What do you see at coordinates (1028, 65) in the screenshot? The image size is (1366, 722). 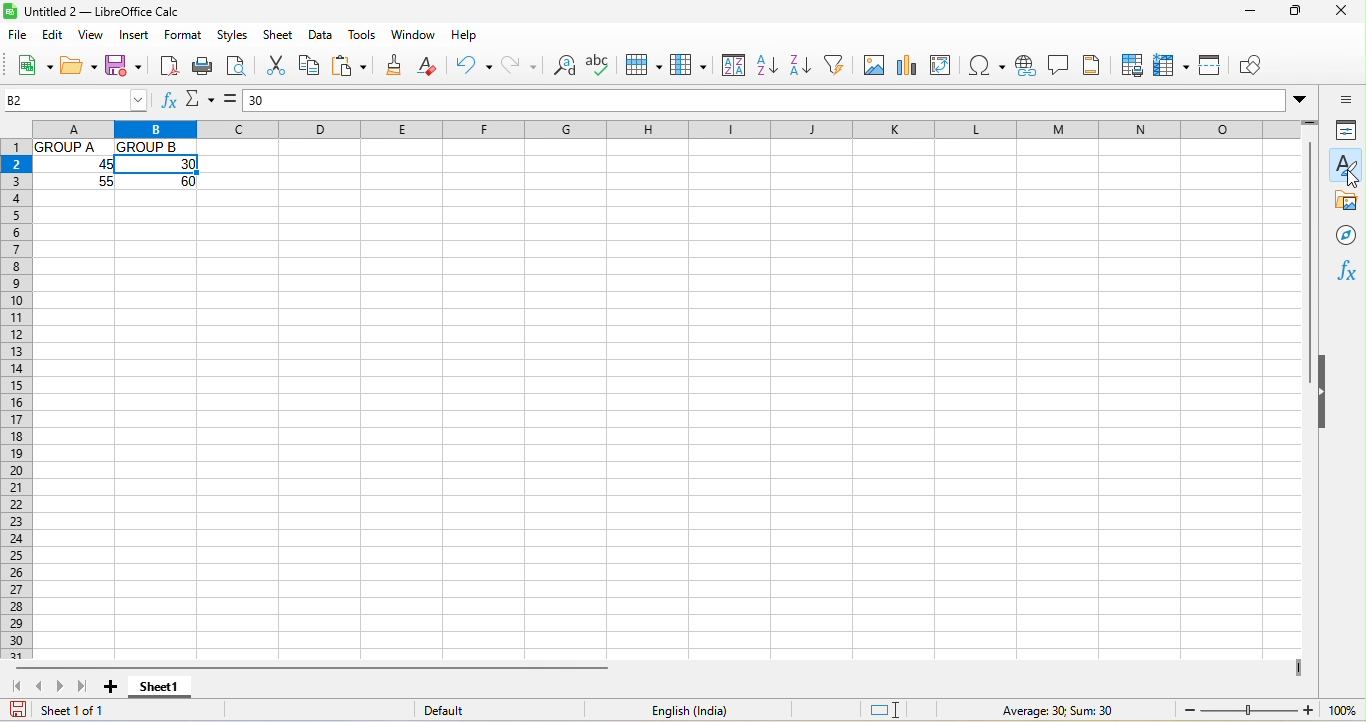 I see `hypelink` at bounding box center [1028, 65].